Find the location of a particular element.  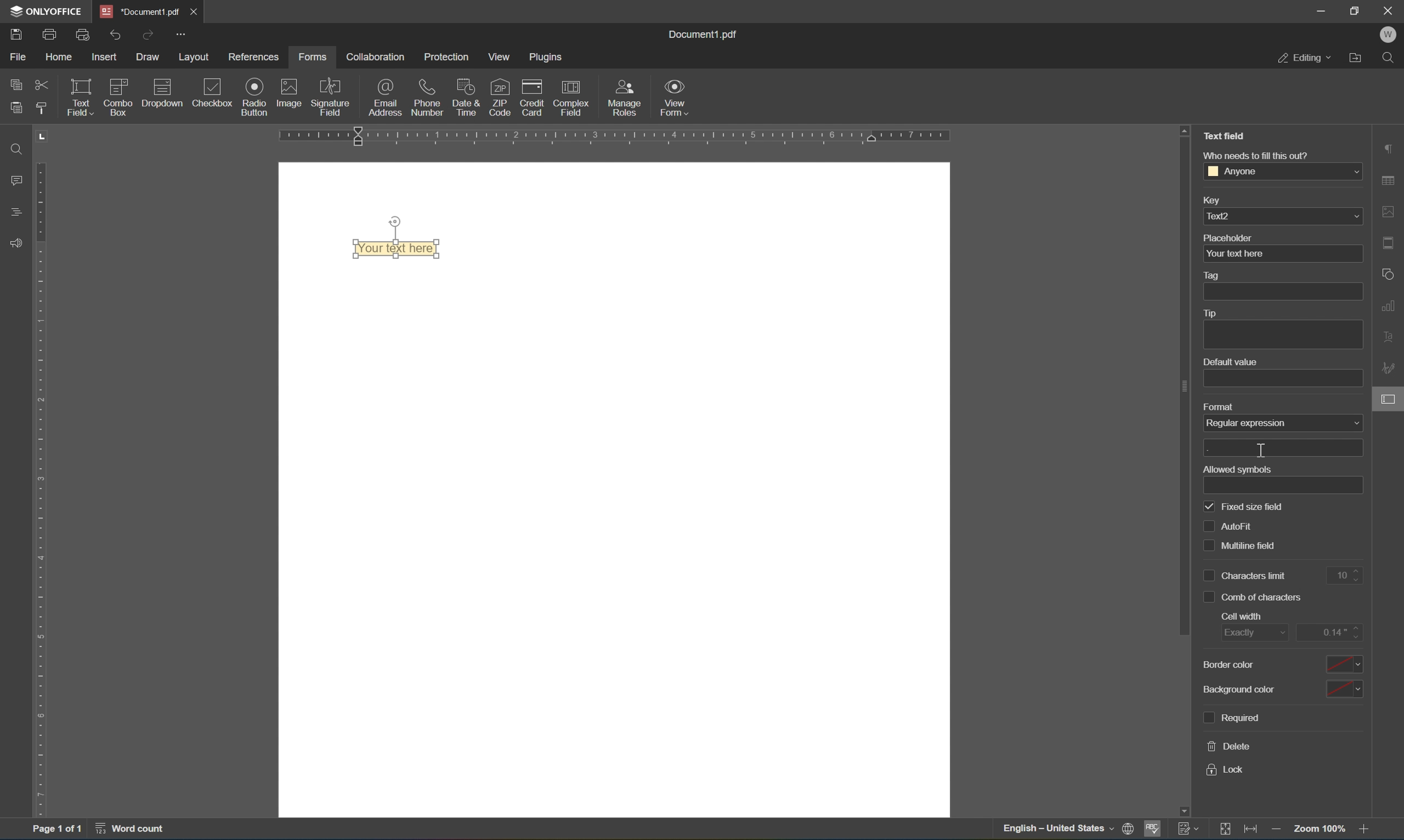

find is located at coordinates (1390, 58).